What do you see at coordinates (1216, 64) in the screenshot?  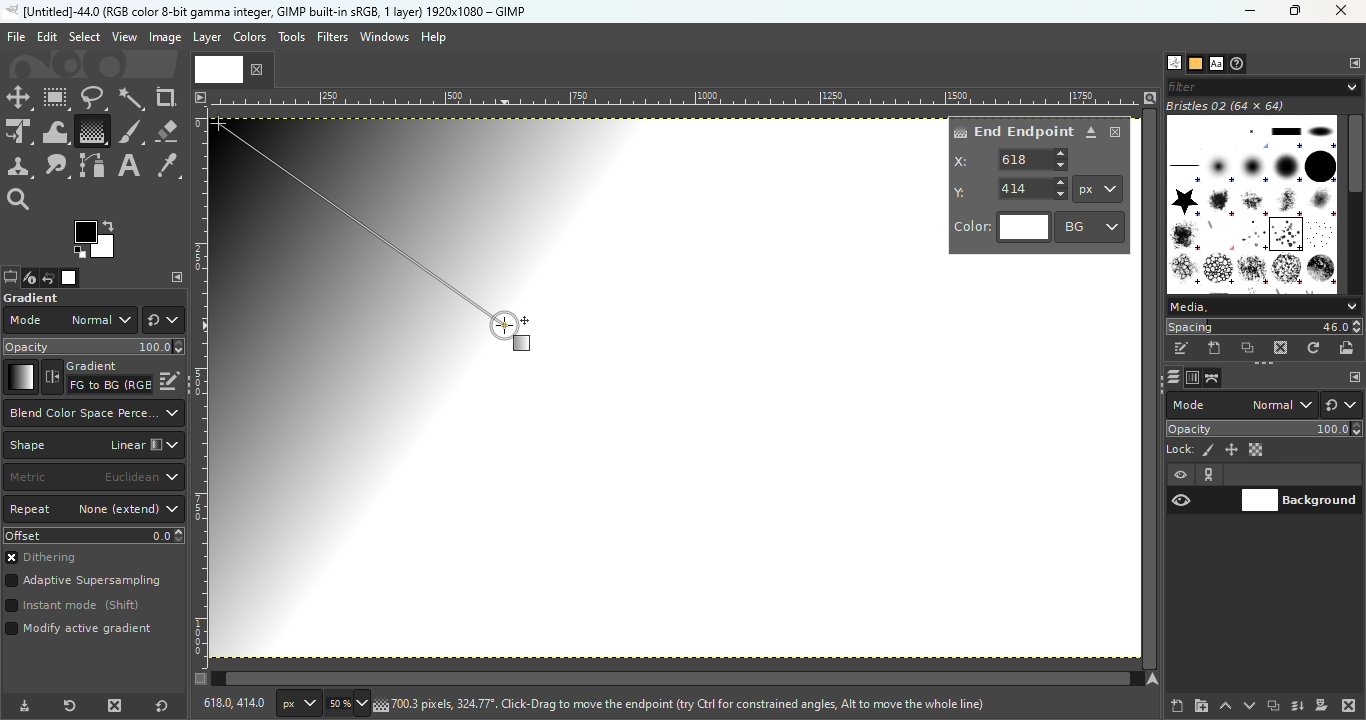 I see `open the fonts tab` at bounding box center [1216, 64].